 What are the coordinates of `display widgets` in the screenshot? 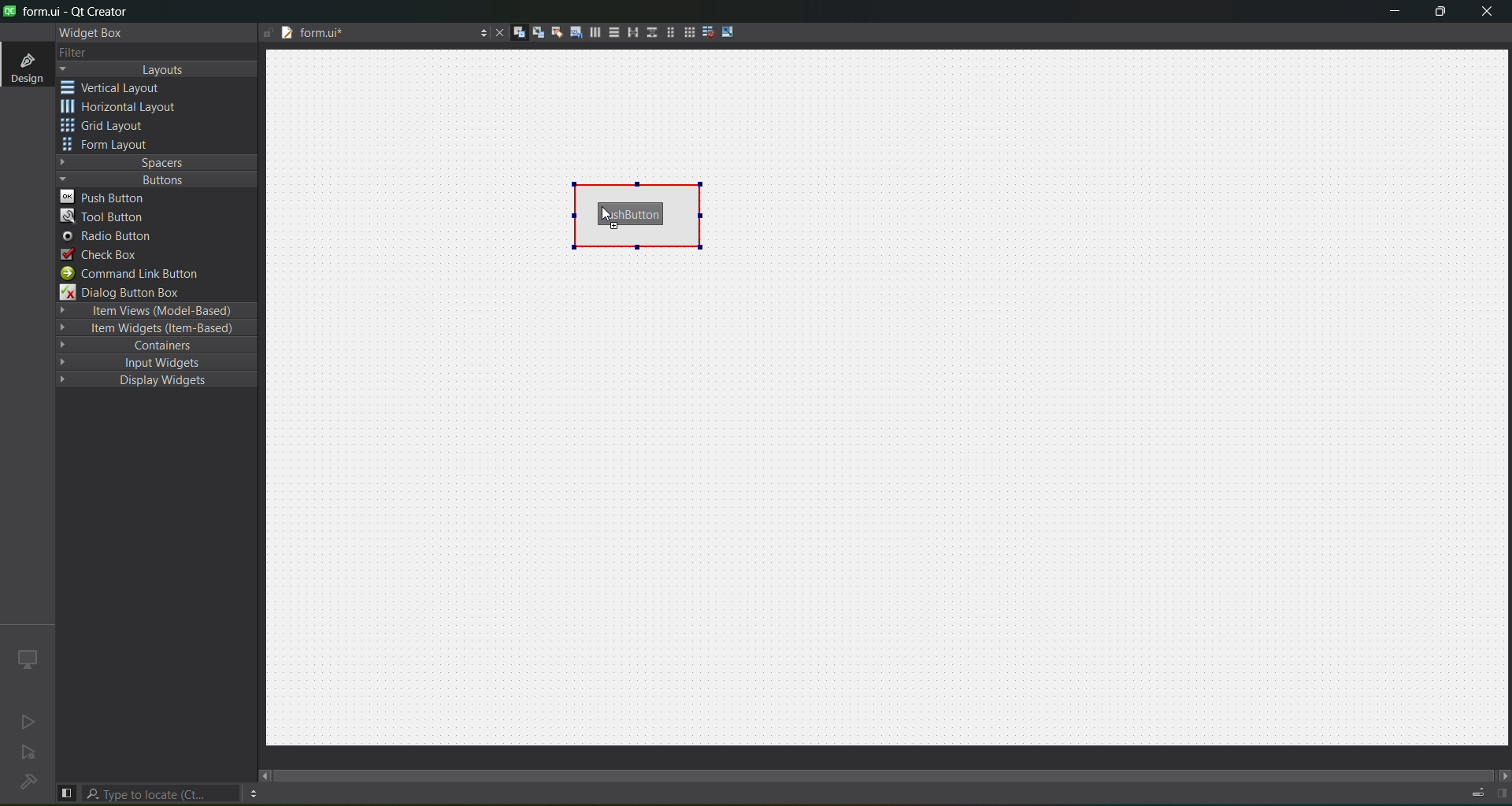 It's located at (145, 381).